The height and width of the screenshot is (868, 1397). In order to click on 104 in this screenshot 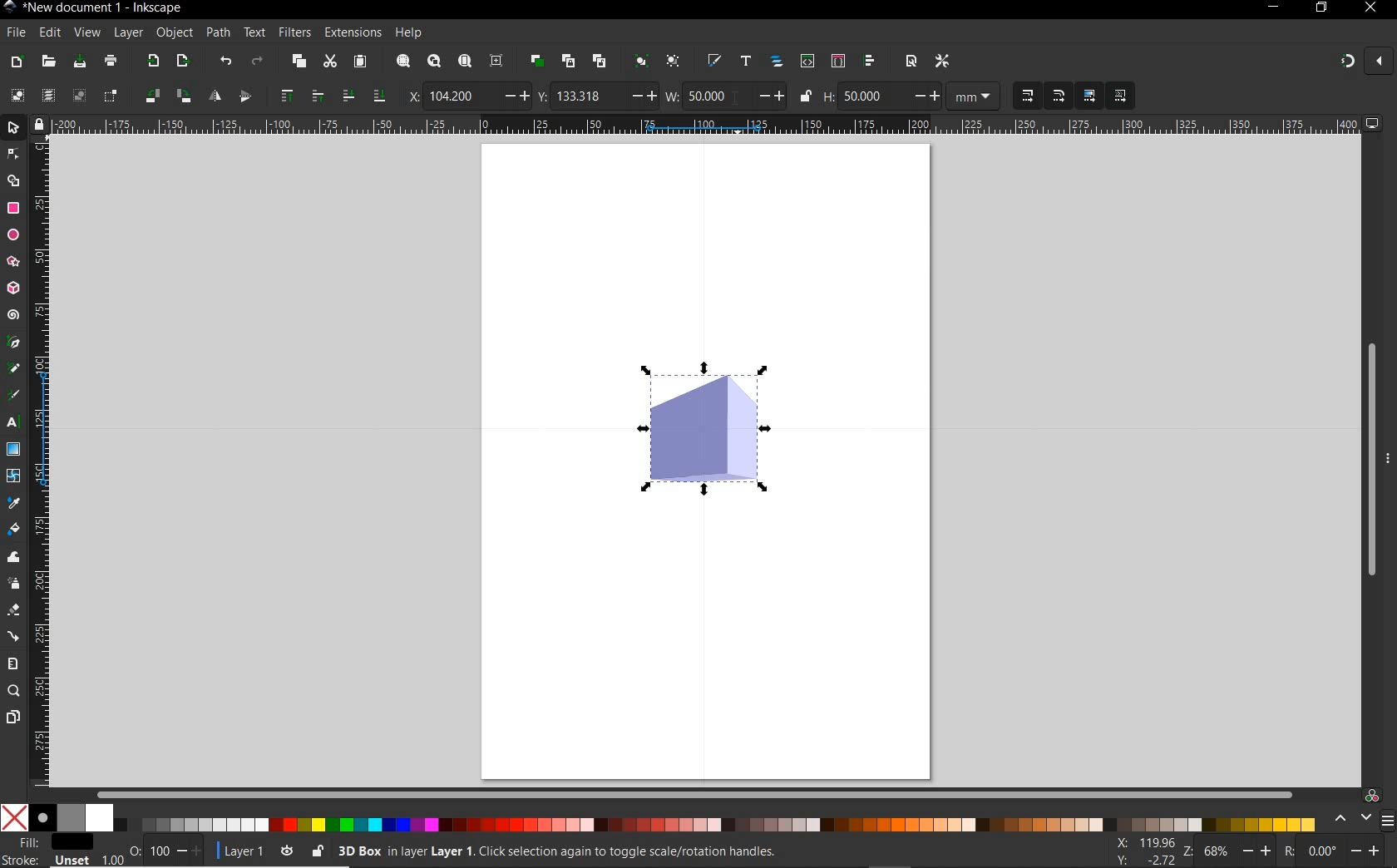, I will do `click(462, 96)`.